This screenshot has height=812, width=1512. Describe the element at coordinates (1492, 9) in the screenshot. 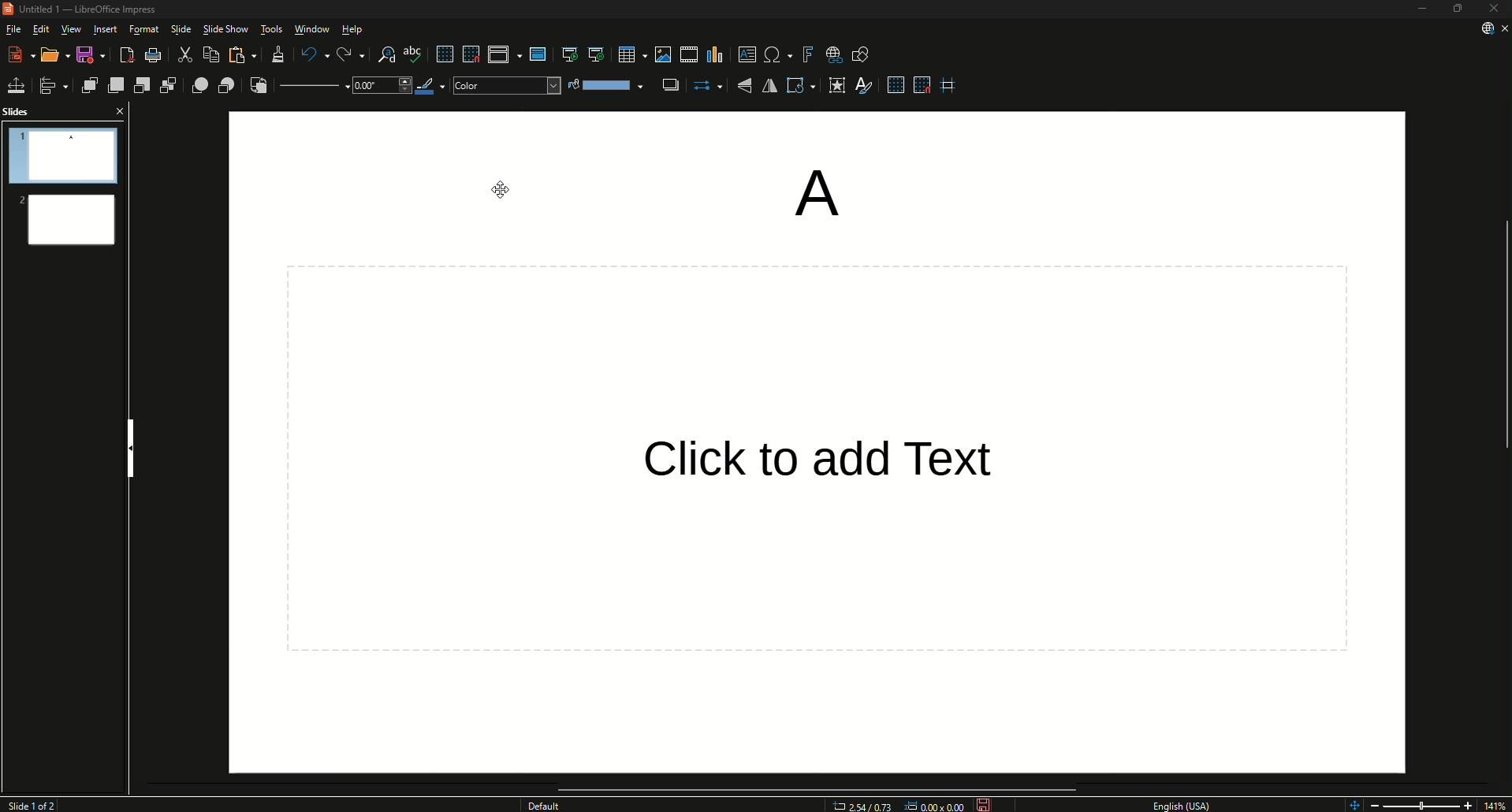

I see `Close` at that location.